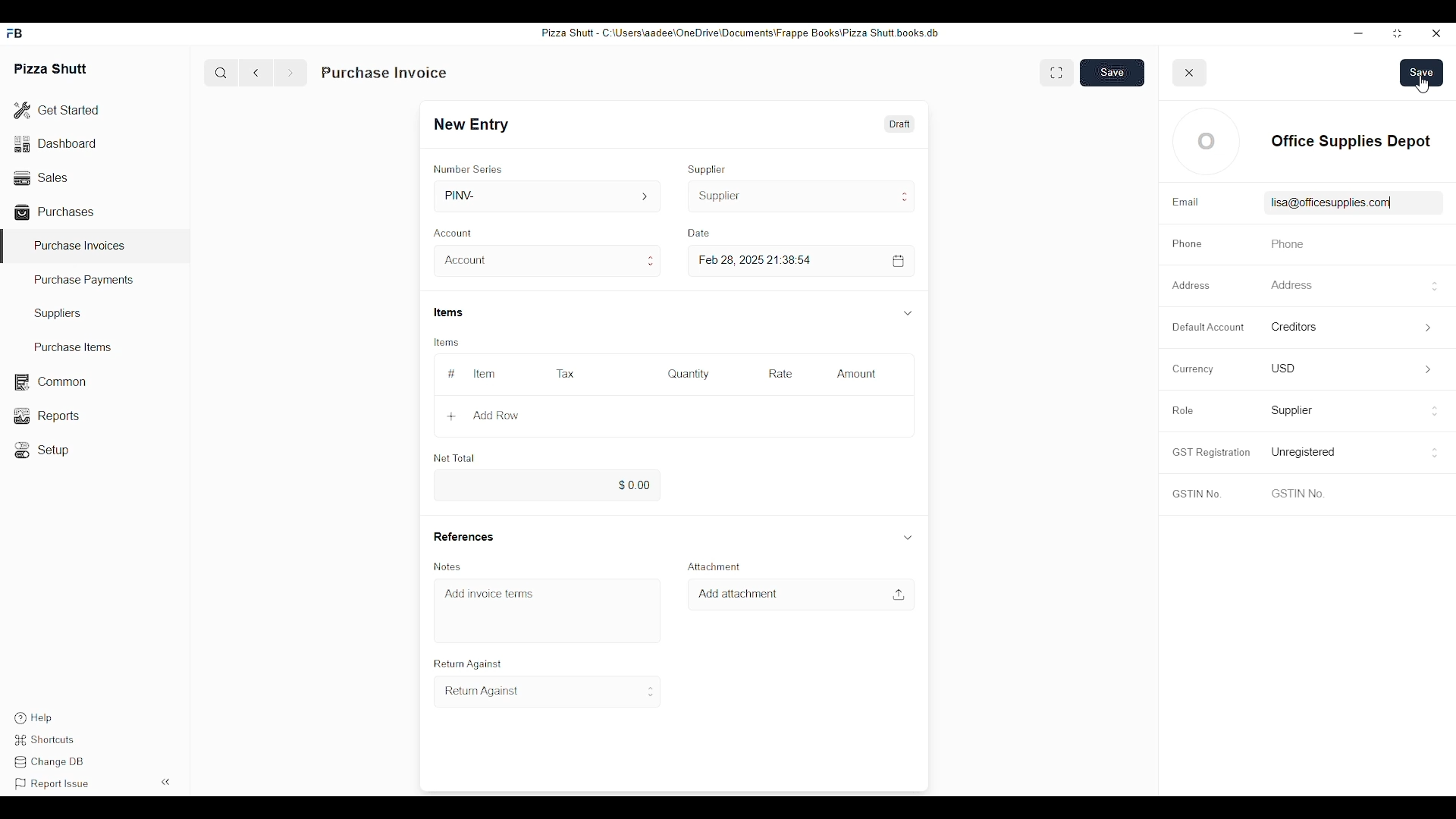  Describe the element at coordinates (898, 595) in the screenshot. I see `upload` at that location.